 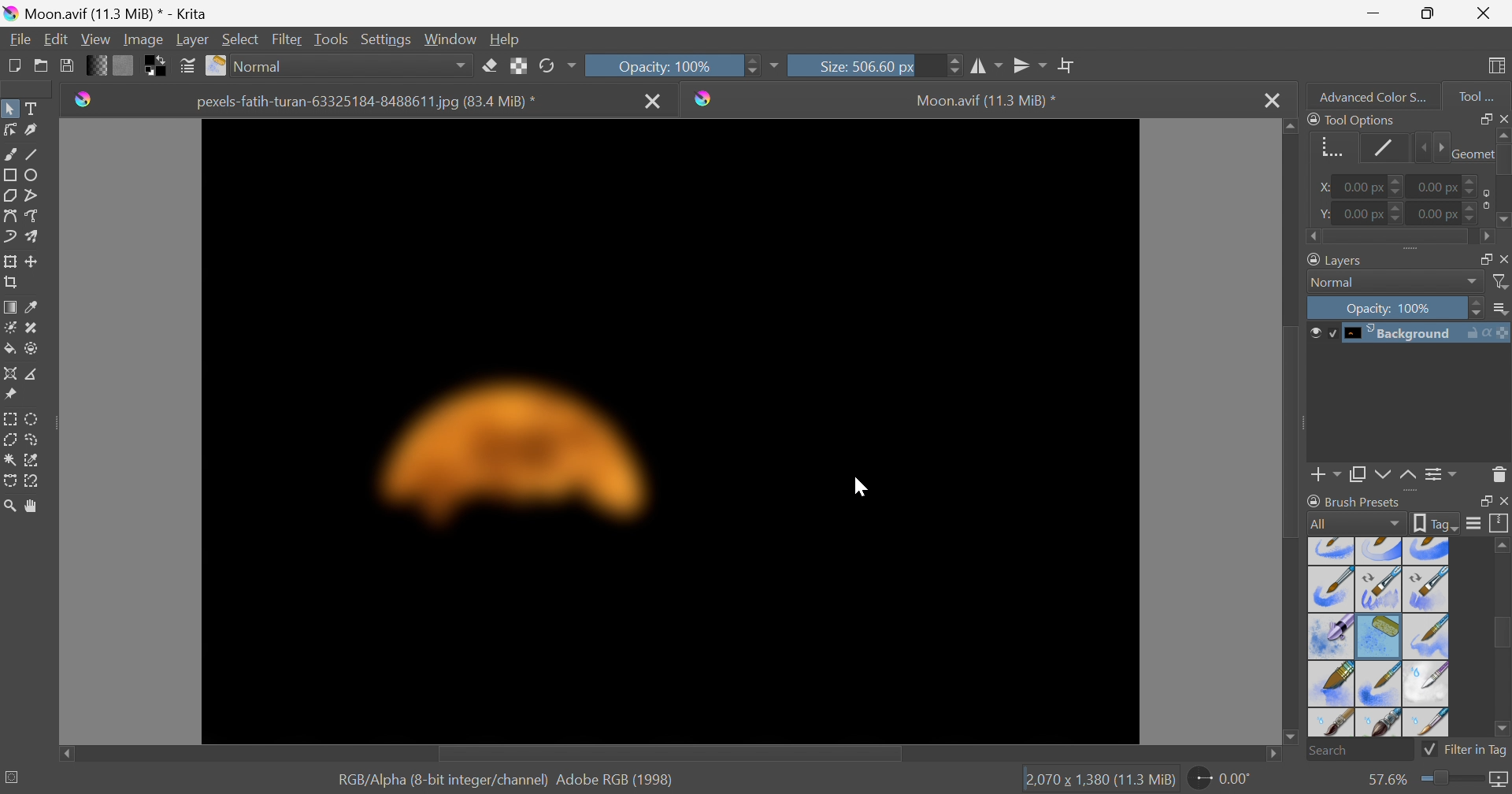 What do you see at coordinates (1326, 477) in the screenshot?
I see `Add layer` at bounding box center [1326, 477].